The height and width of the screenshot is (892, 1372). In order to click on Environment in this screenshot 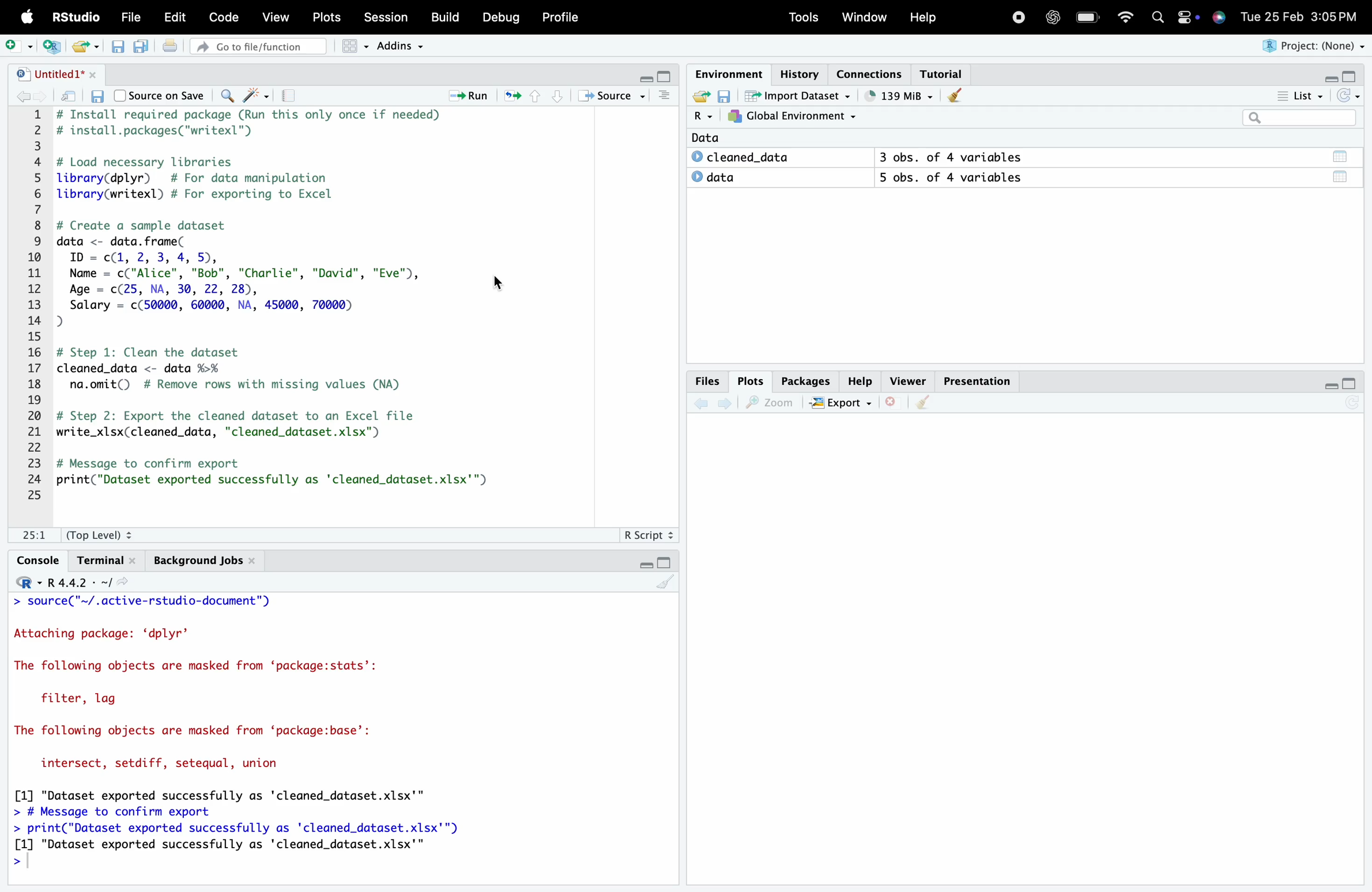, I will do `click(728, 73)`.